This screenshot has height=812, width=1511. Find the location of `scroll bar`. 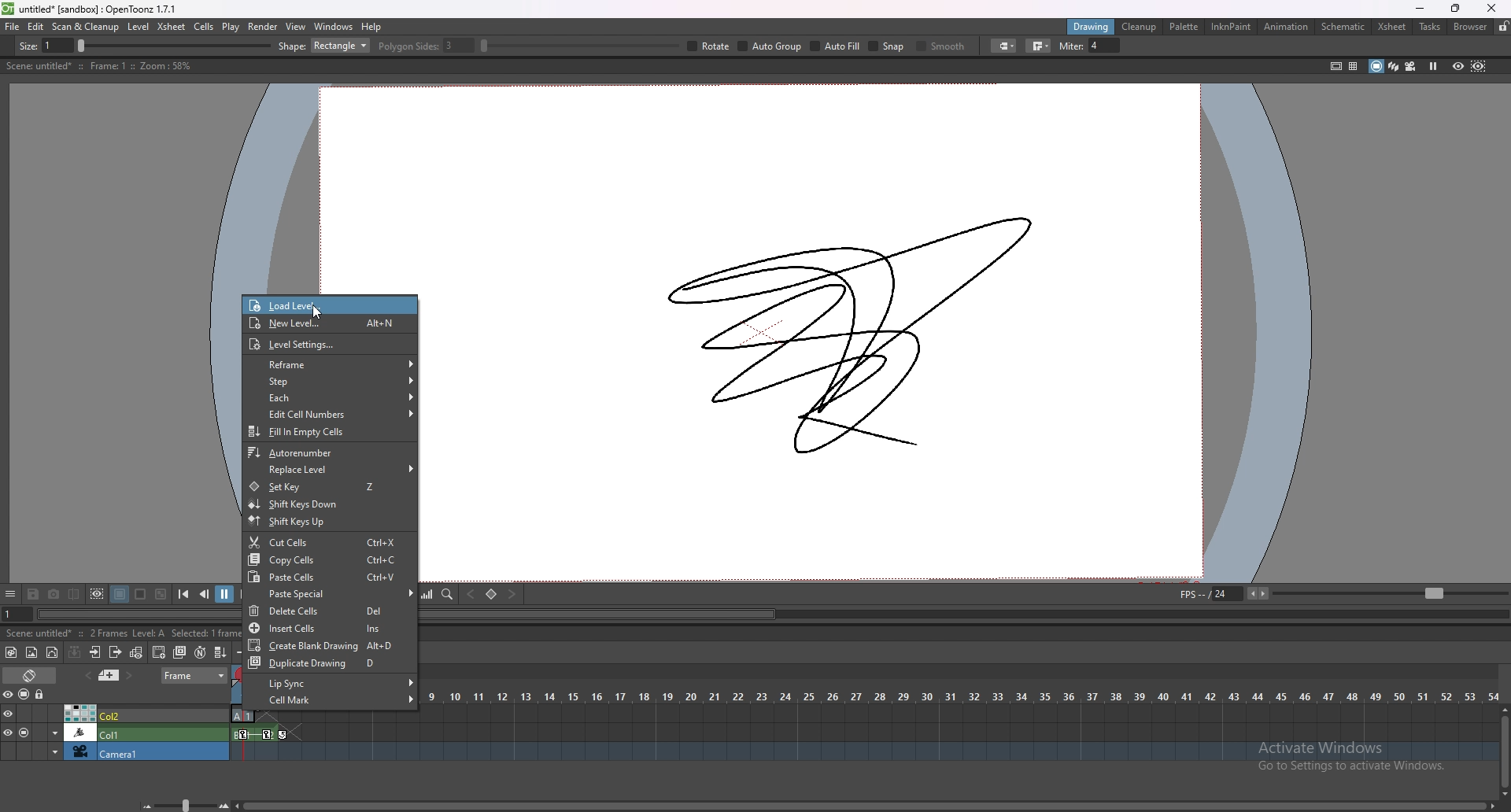

scroll bar is located at coordinates (1505, 751).